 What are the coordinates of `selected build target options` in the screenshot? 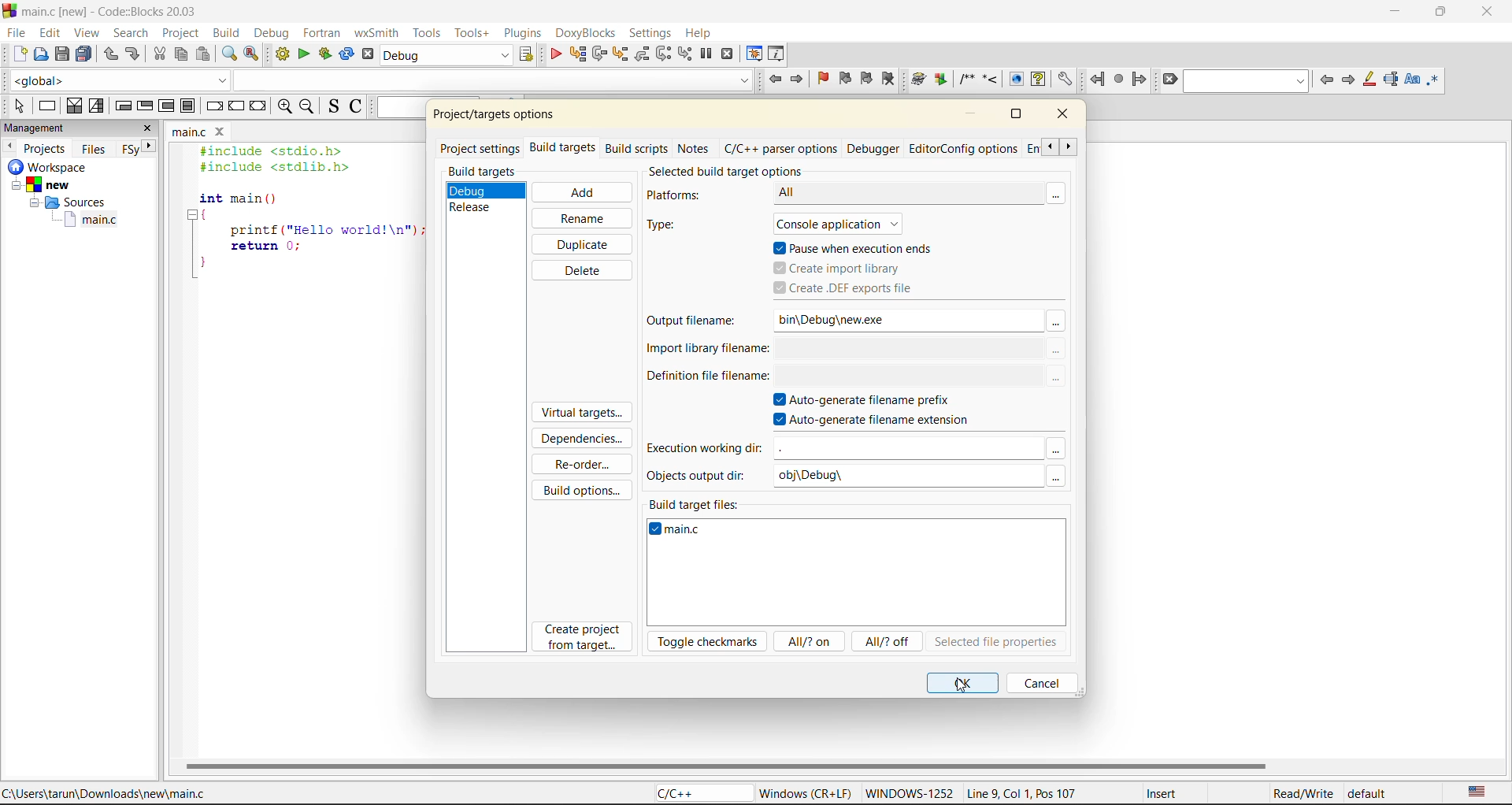 It's located at (744, 170).